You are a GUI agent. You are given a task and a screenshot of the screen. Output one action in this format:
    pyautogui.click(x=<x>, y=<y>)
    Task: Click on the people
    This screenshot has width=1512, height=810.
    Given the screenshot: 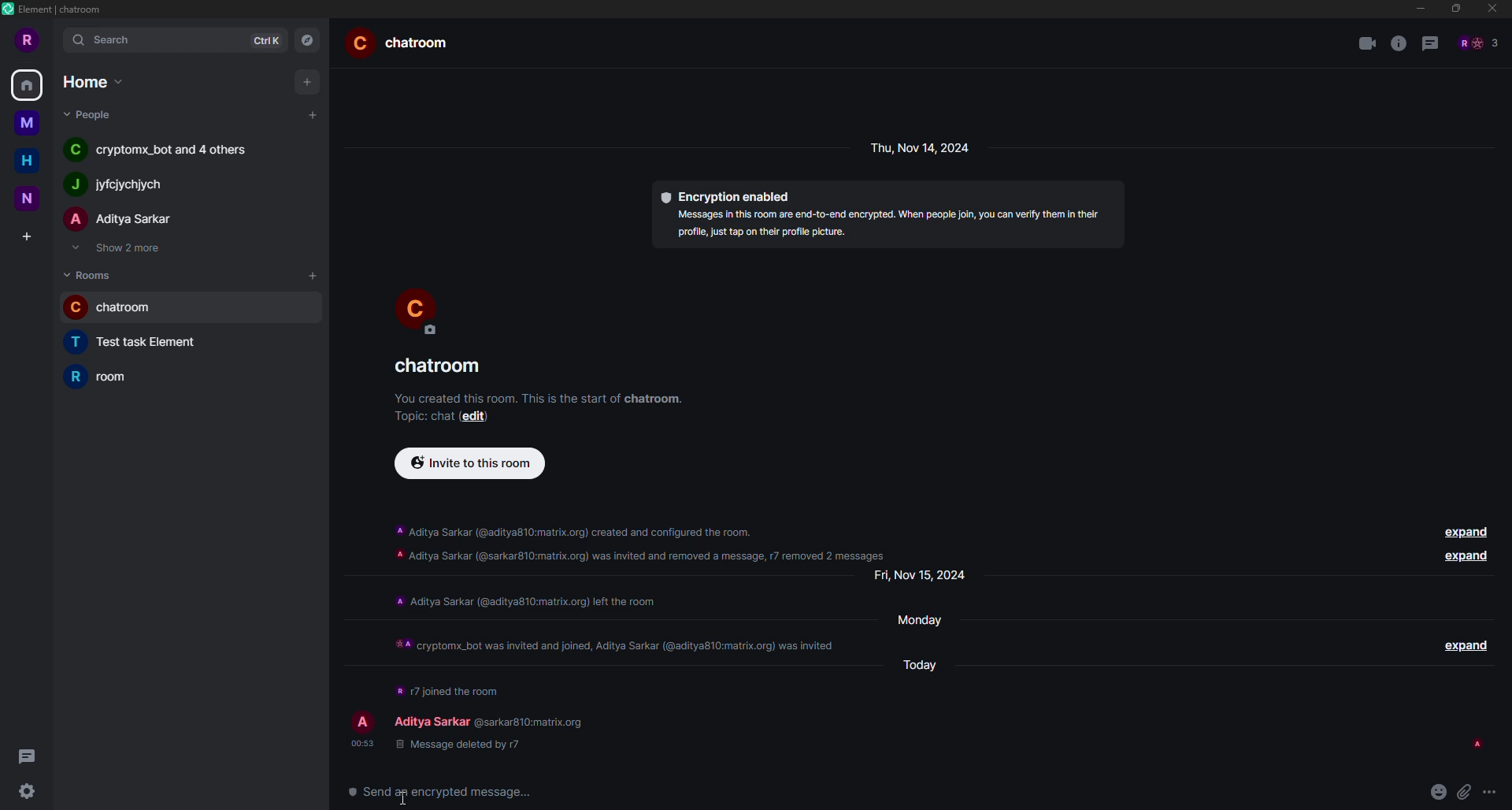 What is the action you would take?
    pyautogui.click(x=91, y=114)
    